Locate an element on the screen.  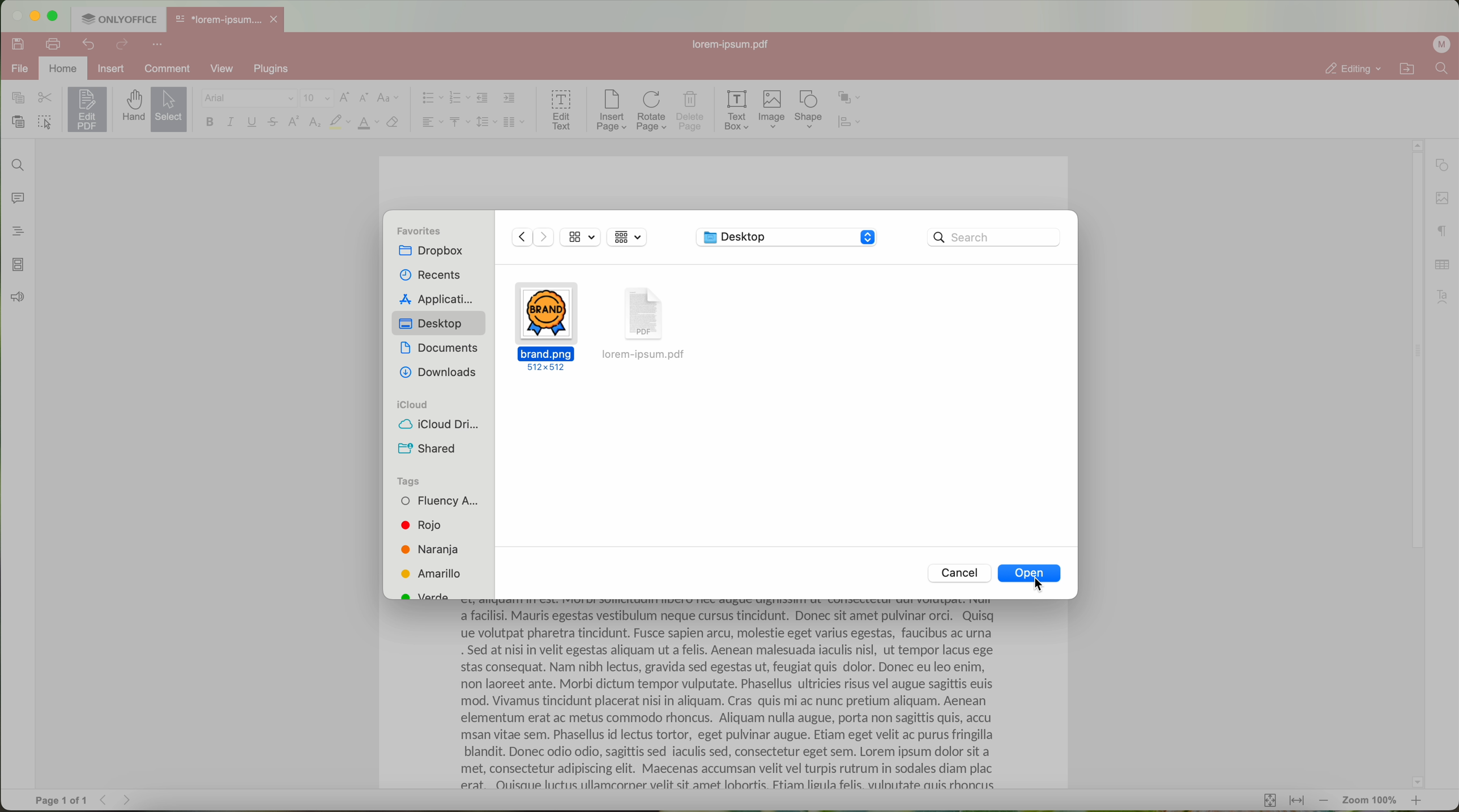
icloud drive is located at coordinates (439, 423).